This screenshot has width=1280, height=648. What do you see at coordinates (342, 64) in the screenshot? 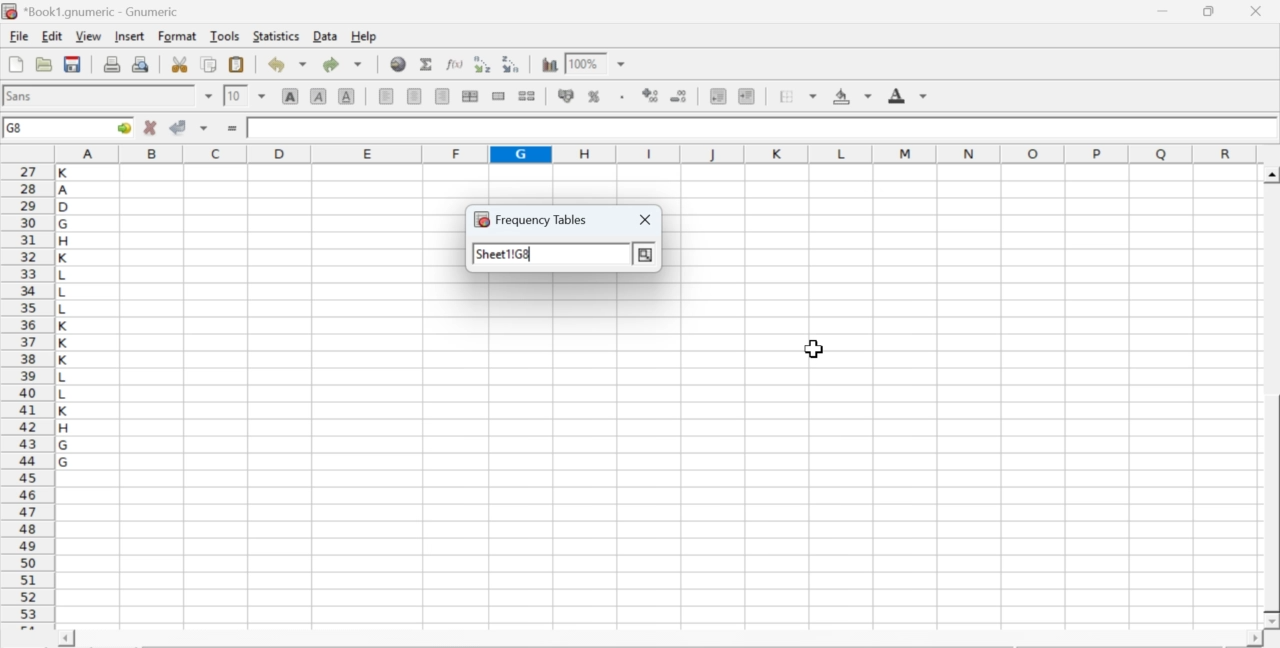
I see `redo` at bounding box center [342, 64].